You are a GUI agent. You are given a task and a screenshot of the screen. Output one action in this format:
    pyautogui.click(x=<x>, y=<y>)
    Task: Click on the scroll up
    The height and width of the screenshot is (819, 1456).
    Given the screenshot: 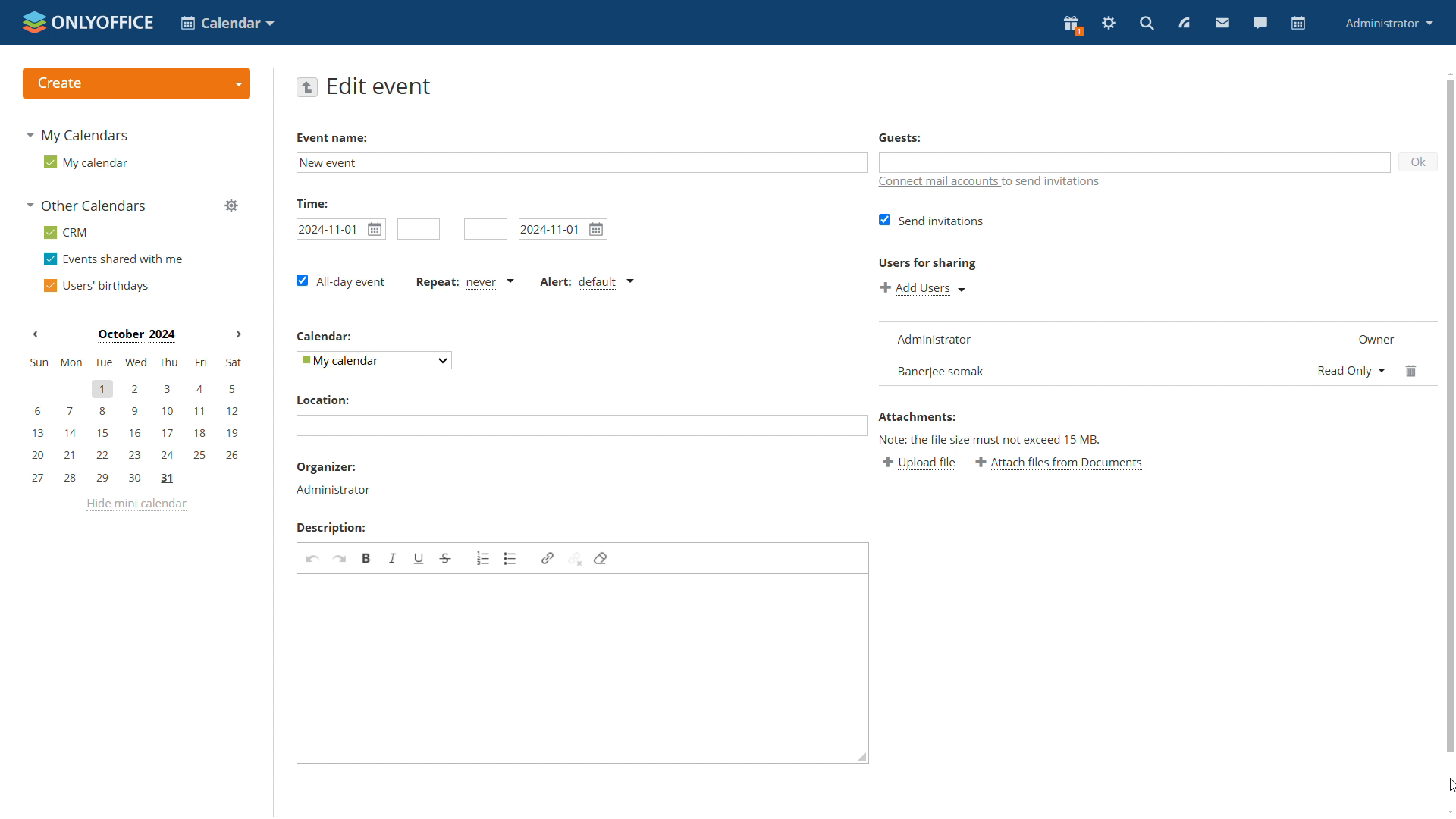 What is the action you would take?
    pyautogui.click(x=1449, y=73)
    